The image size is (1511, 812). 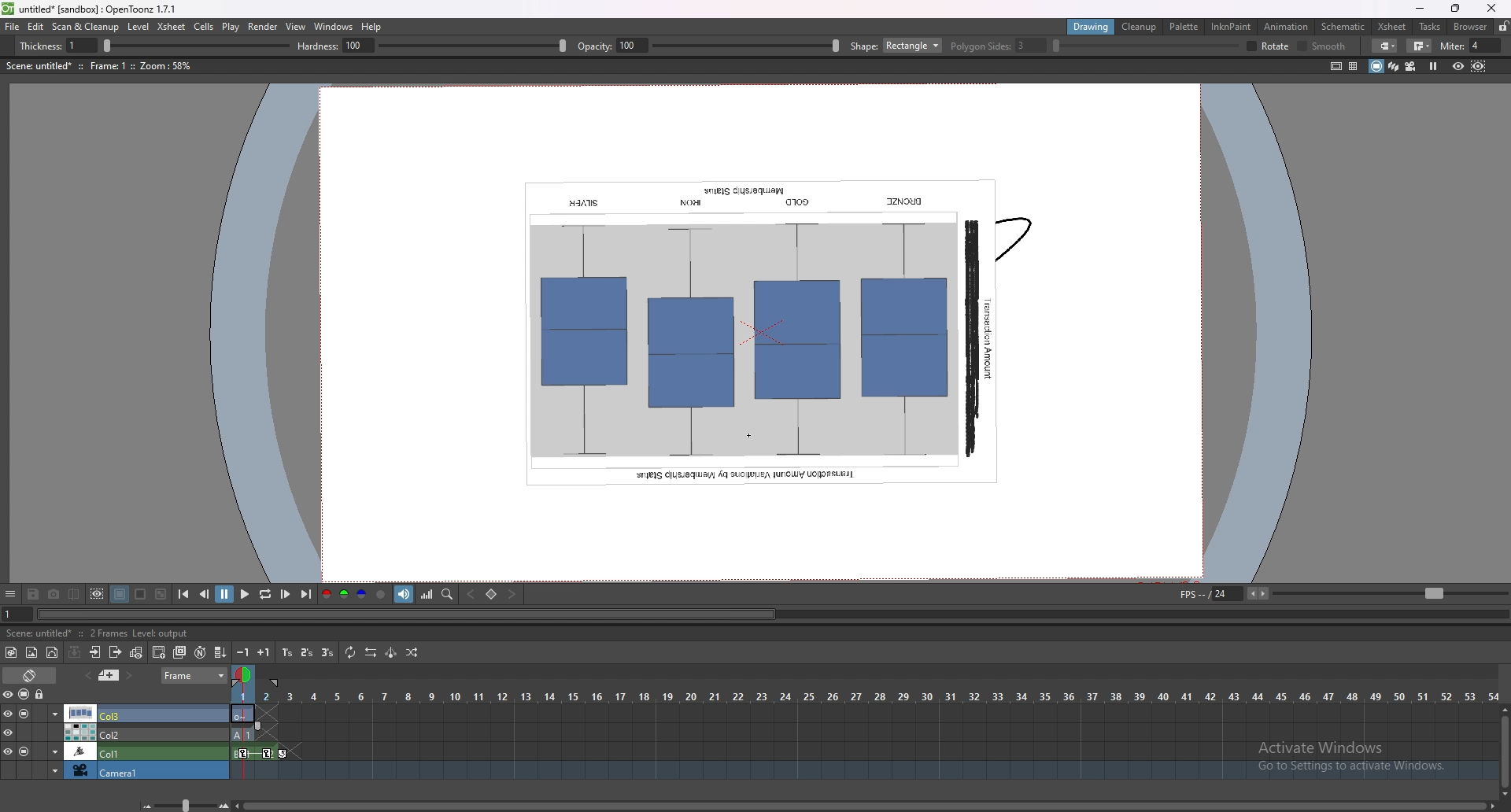 What do you see at coordinates (31, 653) in the screenshot?
I see `new raster level` at bounding box center [31, 653].